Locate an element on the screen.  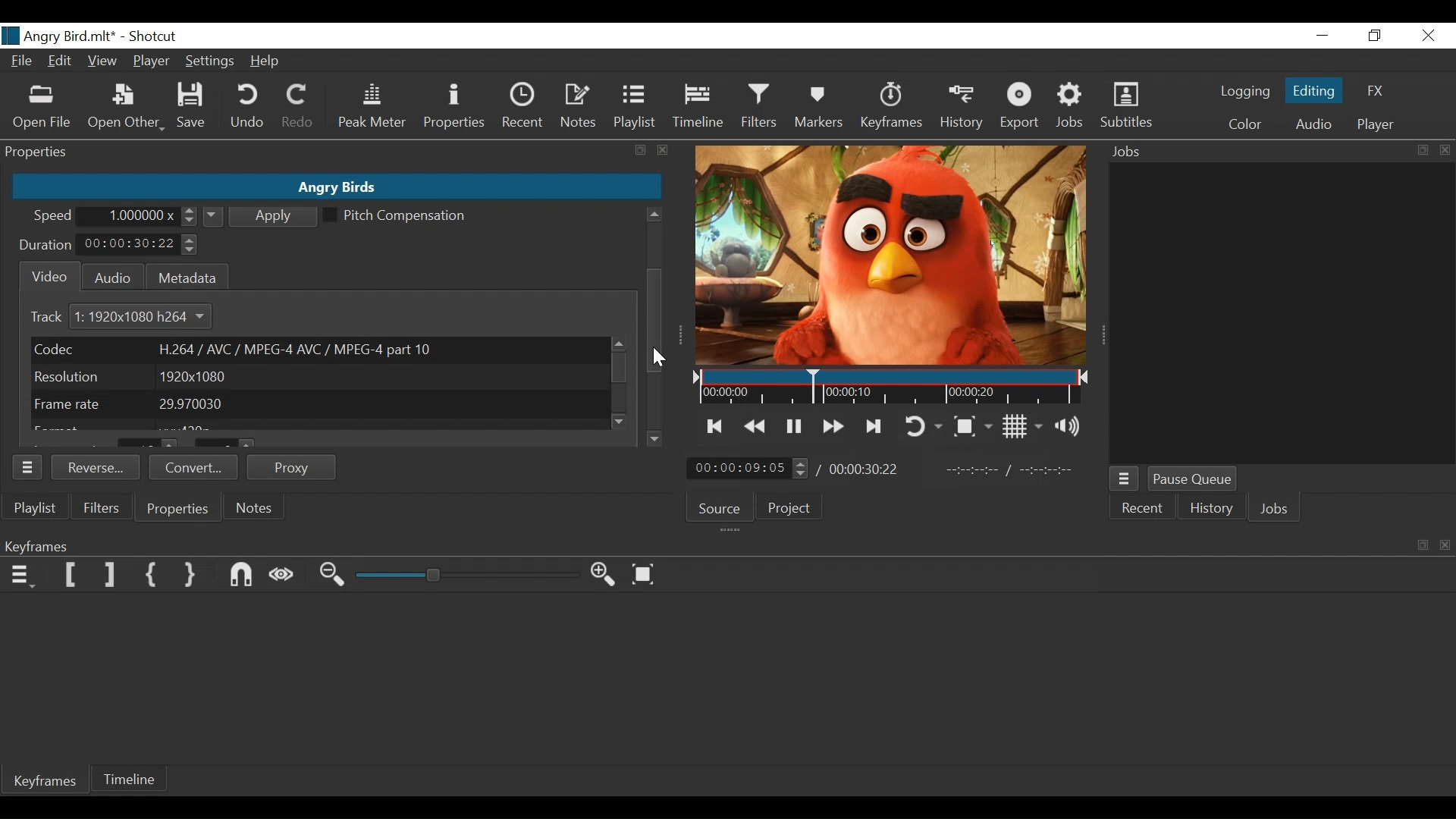
Edit is located at coordinates (60, 62).